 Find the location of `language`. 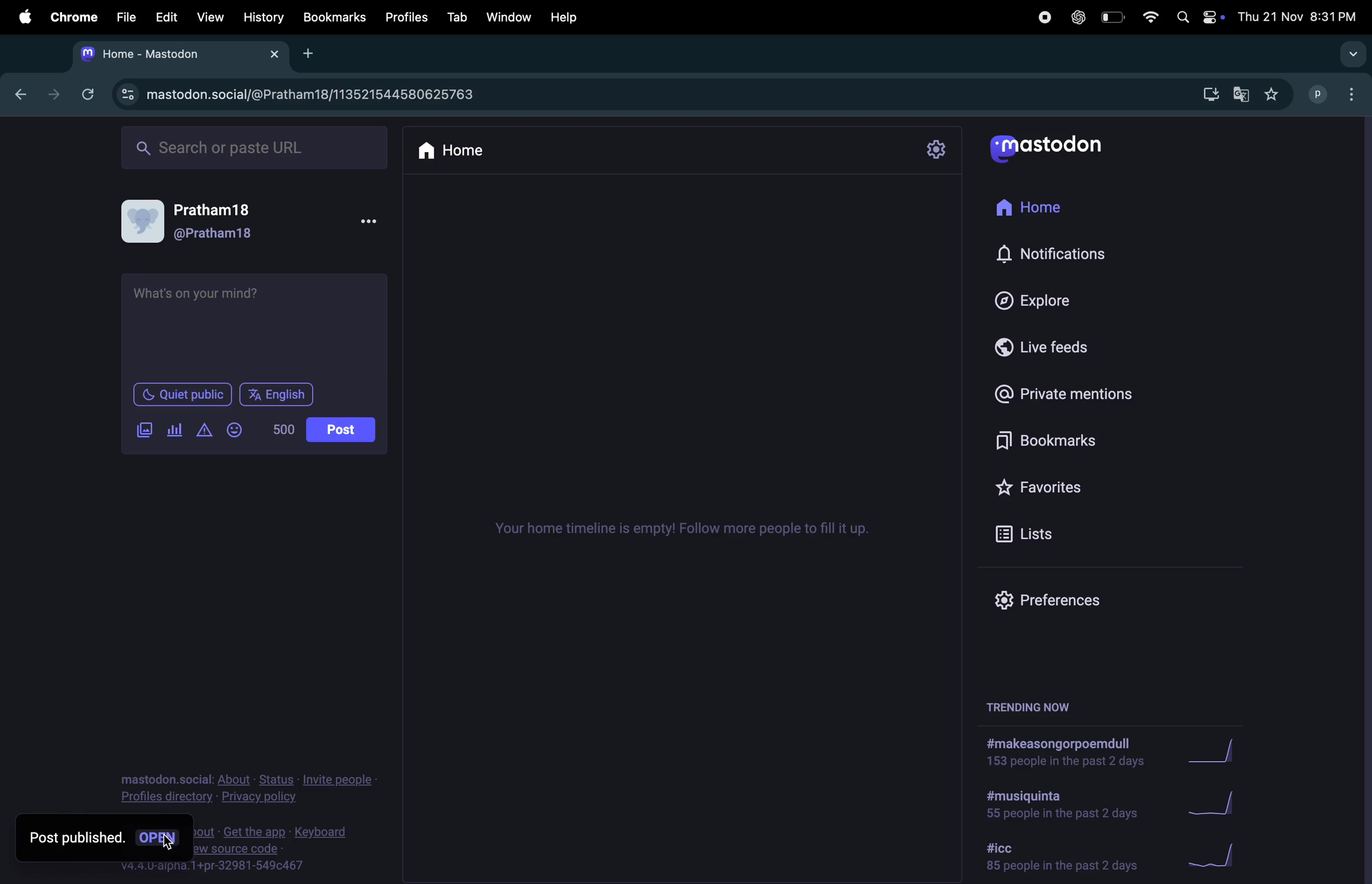

language is located at coordinates (281, 393).